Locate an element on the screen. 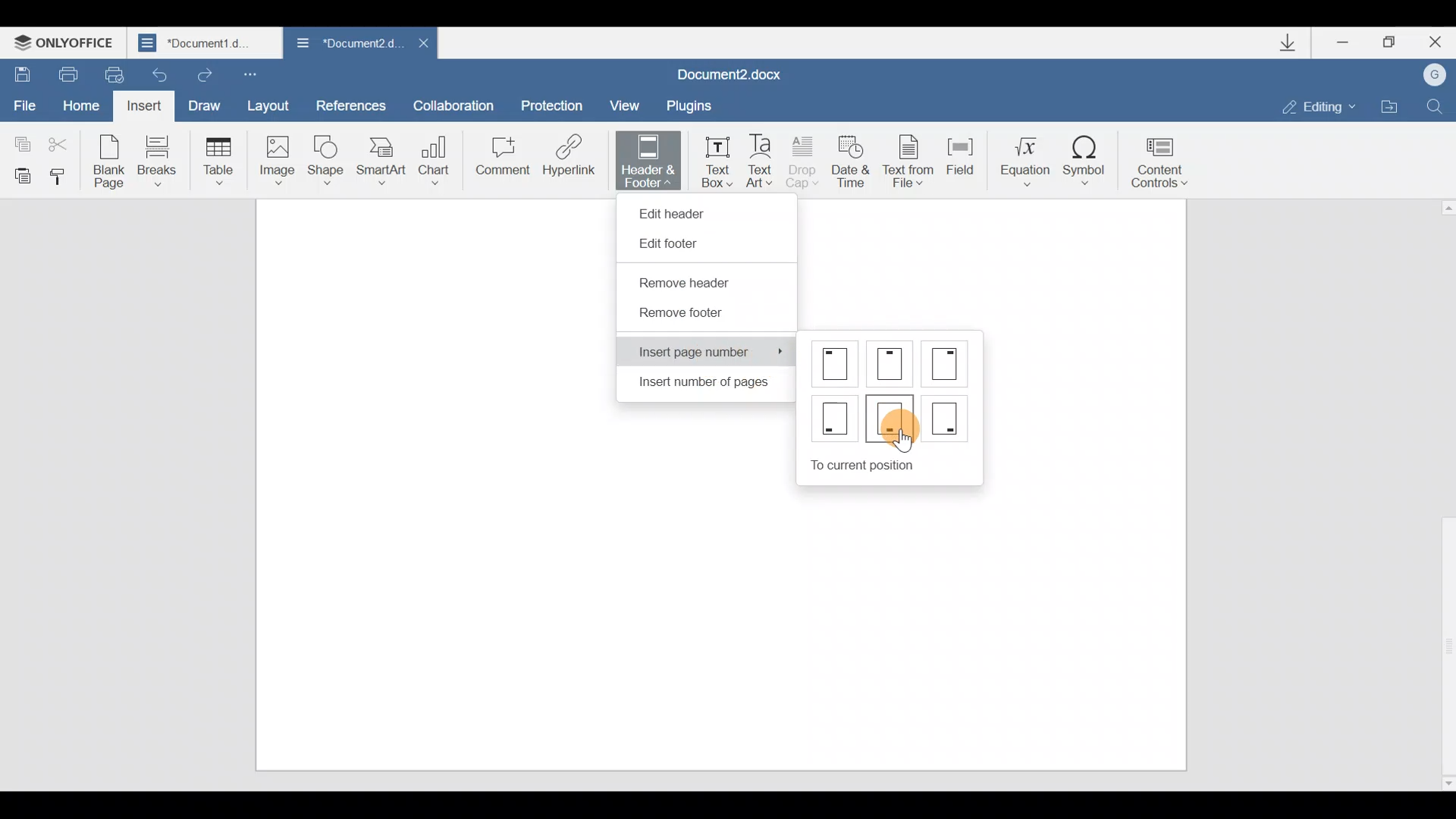 The height and width of the screenshot is (819, 1456). Hyperlink is located at coordinates (570, 160).